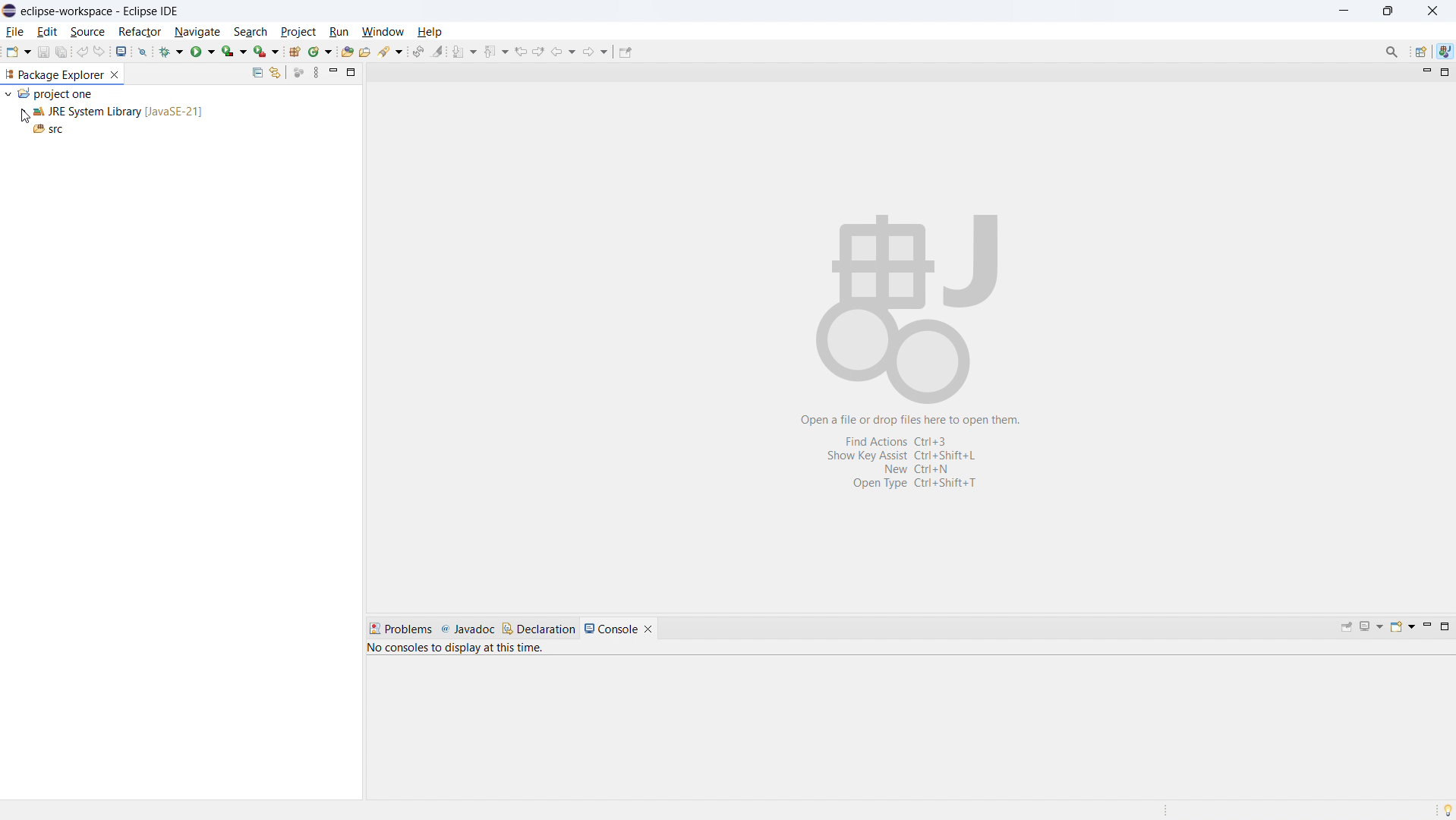 The width and height of the screenshot is (1456, 820). Describe the element at coordinates (1401, 627) in the screenshot. I see `open console` at that location.